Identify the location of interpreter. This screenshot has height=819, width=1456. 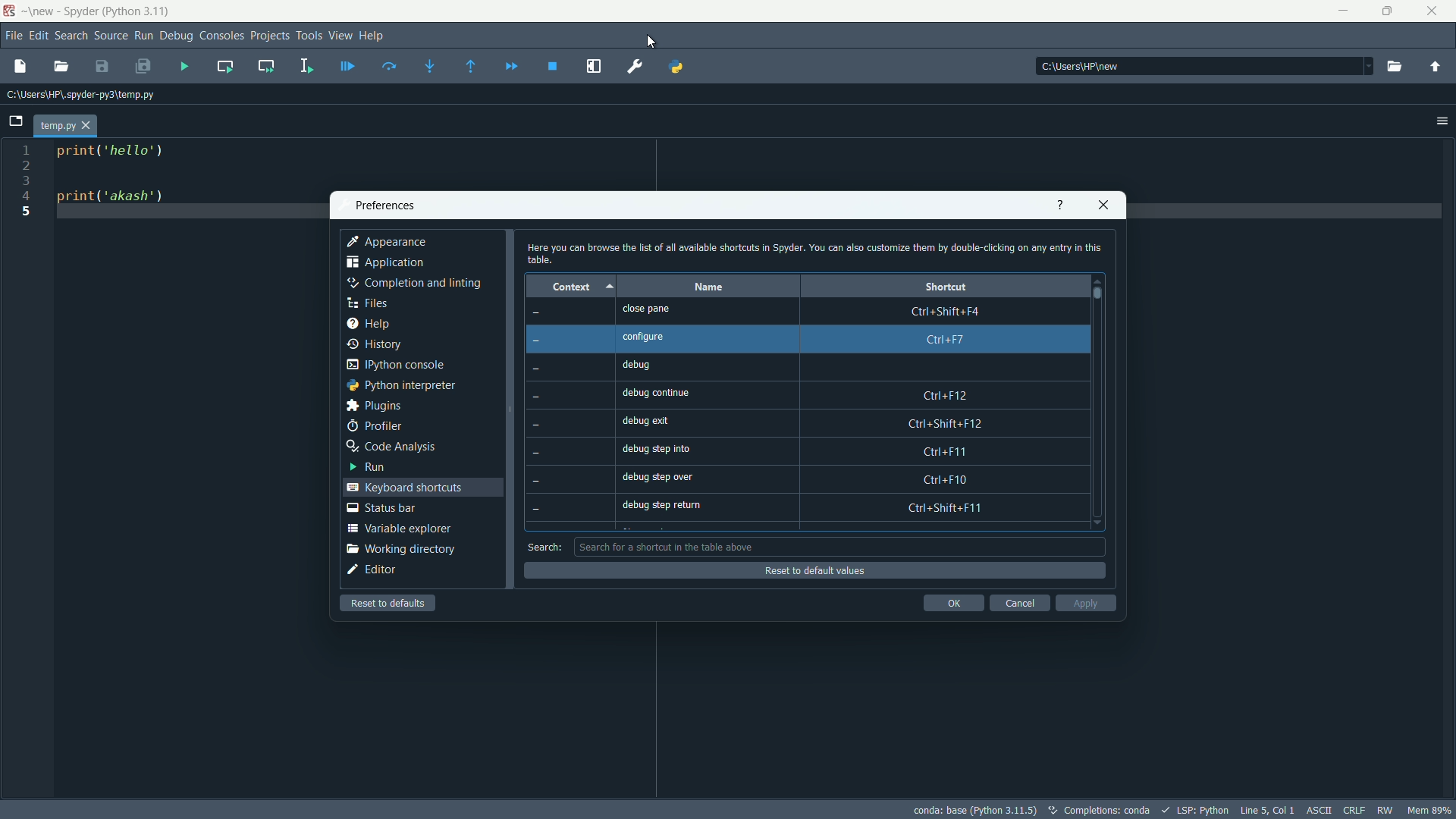
(974, 810).